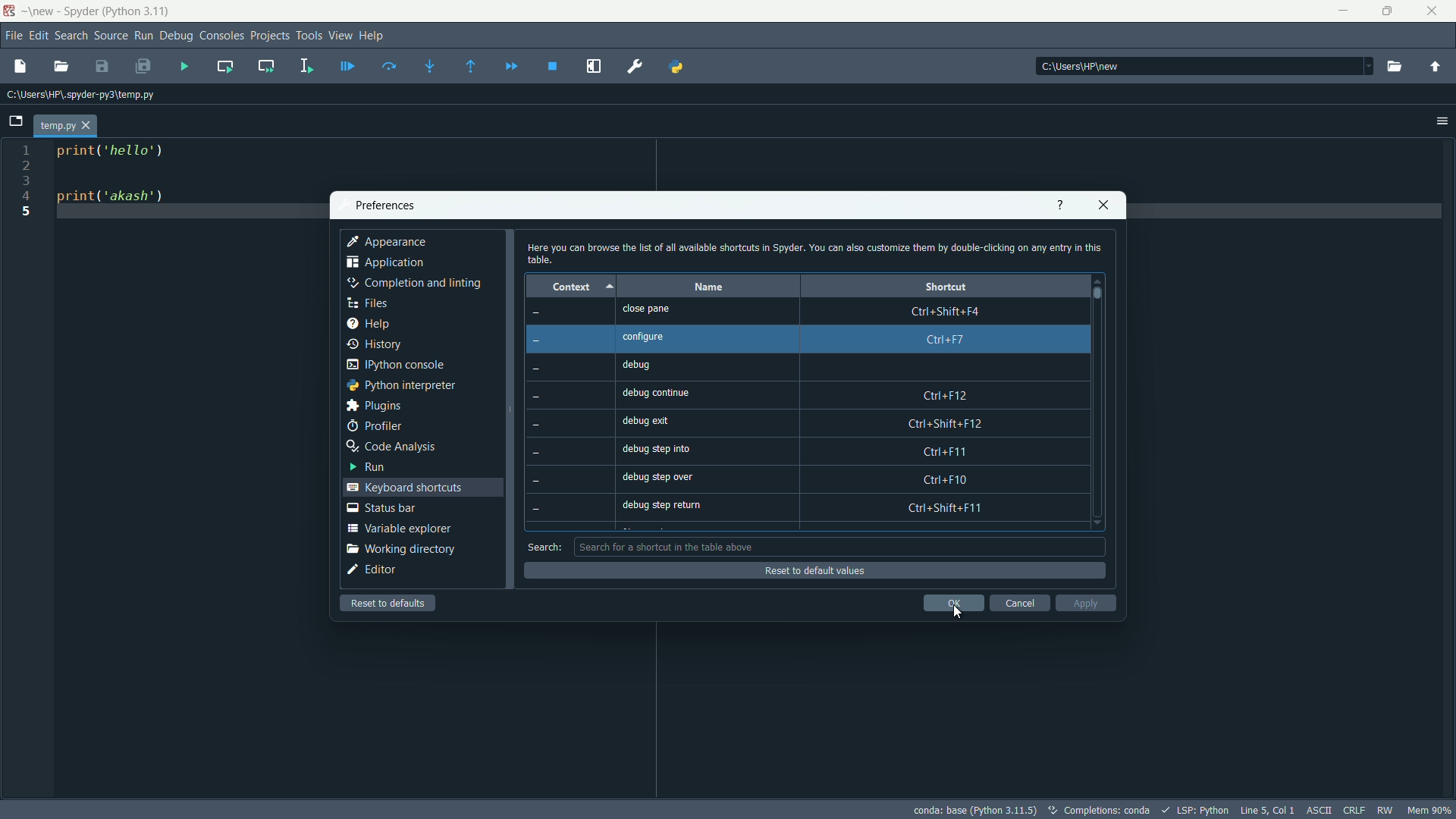  Describe the element at coordinates (375, 344) in the screenshot. I see `history` at that location.